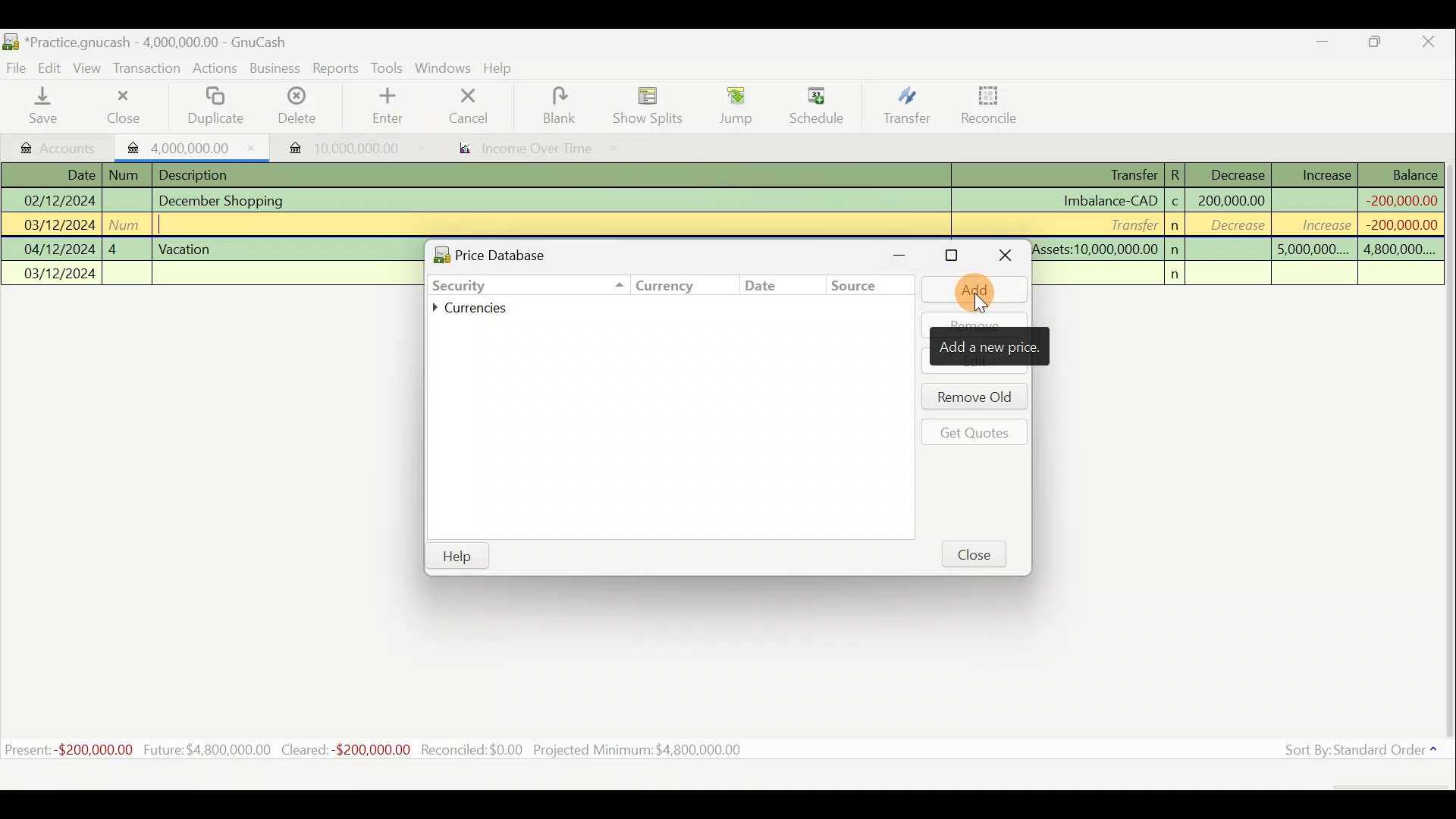 This screenshot has height=819, width=1456. Describe the element at coordinates (61, 275) in the screenshot. I see `03/12/2024` at that location.